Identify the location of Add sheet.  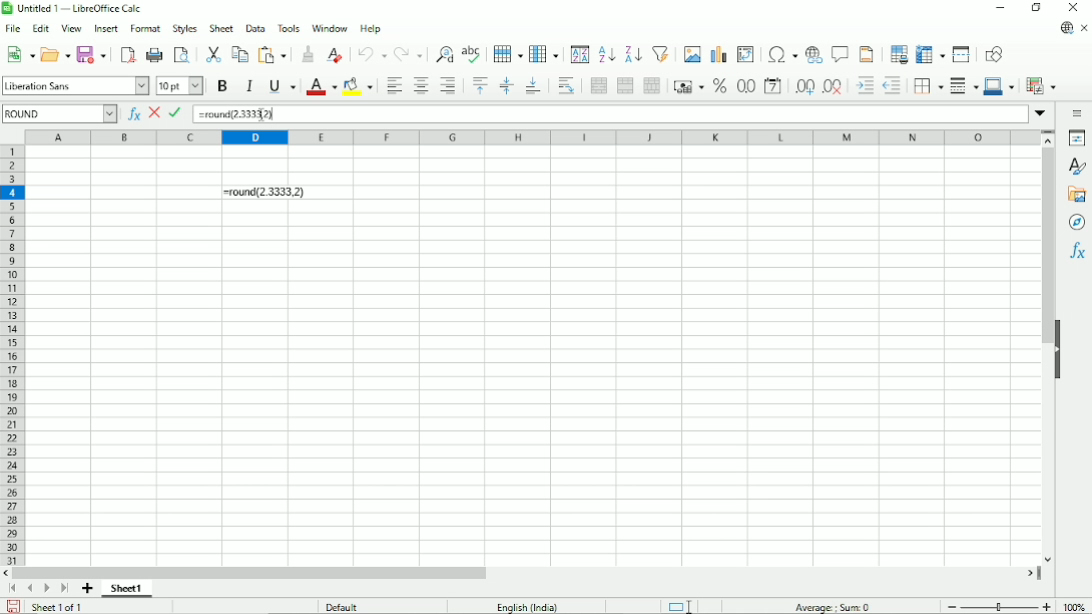
(88, 588).